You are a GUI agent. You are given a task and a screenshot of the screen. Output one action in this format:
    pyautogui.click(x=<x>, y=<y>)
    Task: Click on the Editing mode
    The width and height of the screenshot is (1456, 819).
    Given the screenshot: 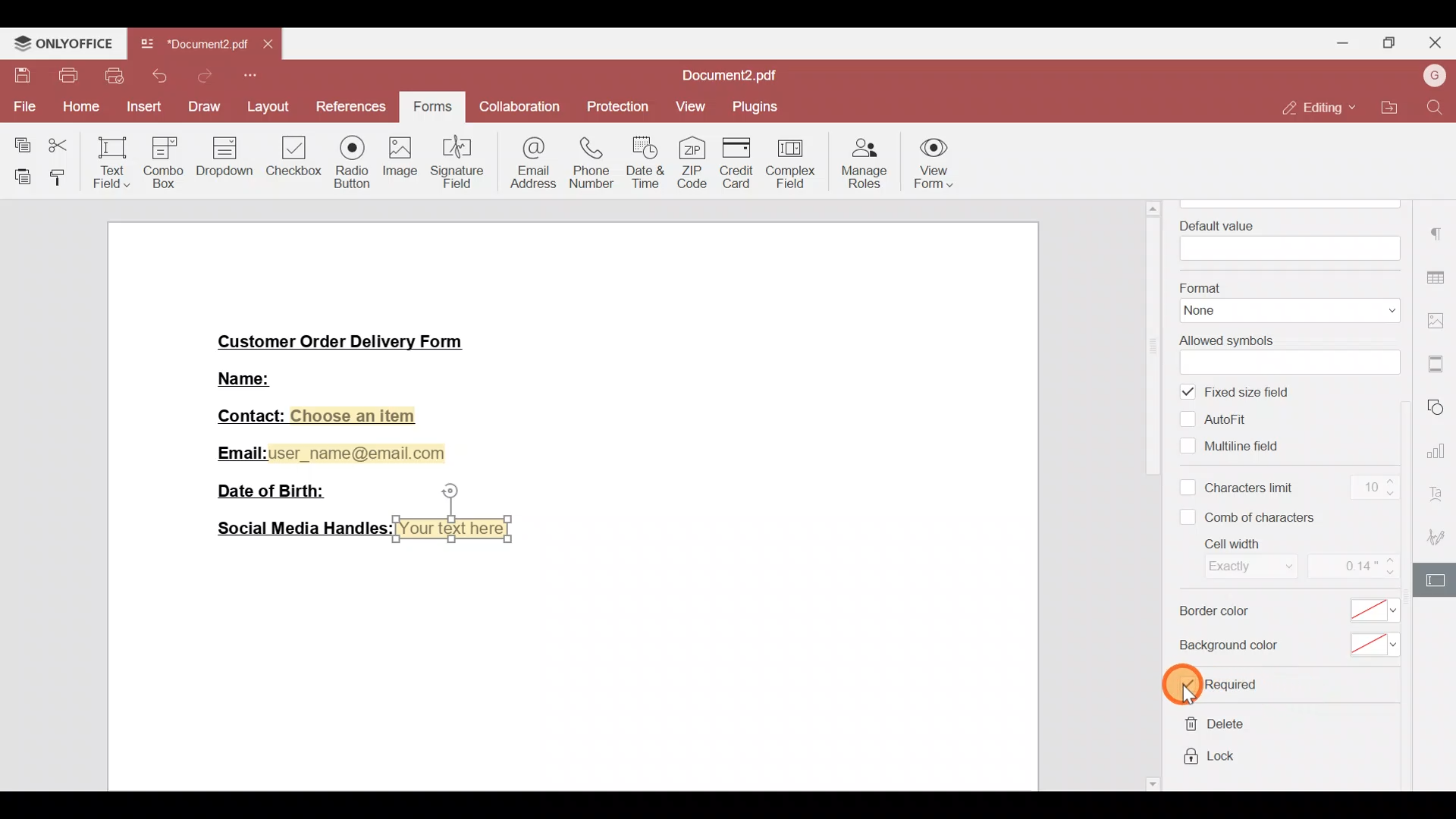 What is the action you would take?
    pyautogui.click(x=1316, y=108)
    